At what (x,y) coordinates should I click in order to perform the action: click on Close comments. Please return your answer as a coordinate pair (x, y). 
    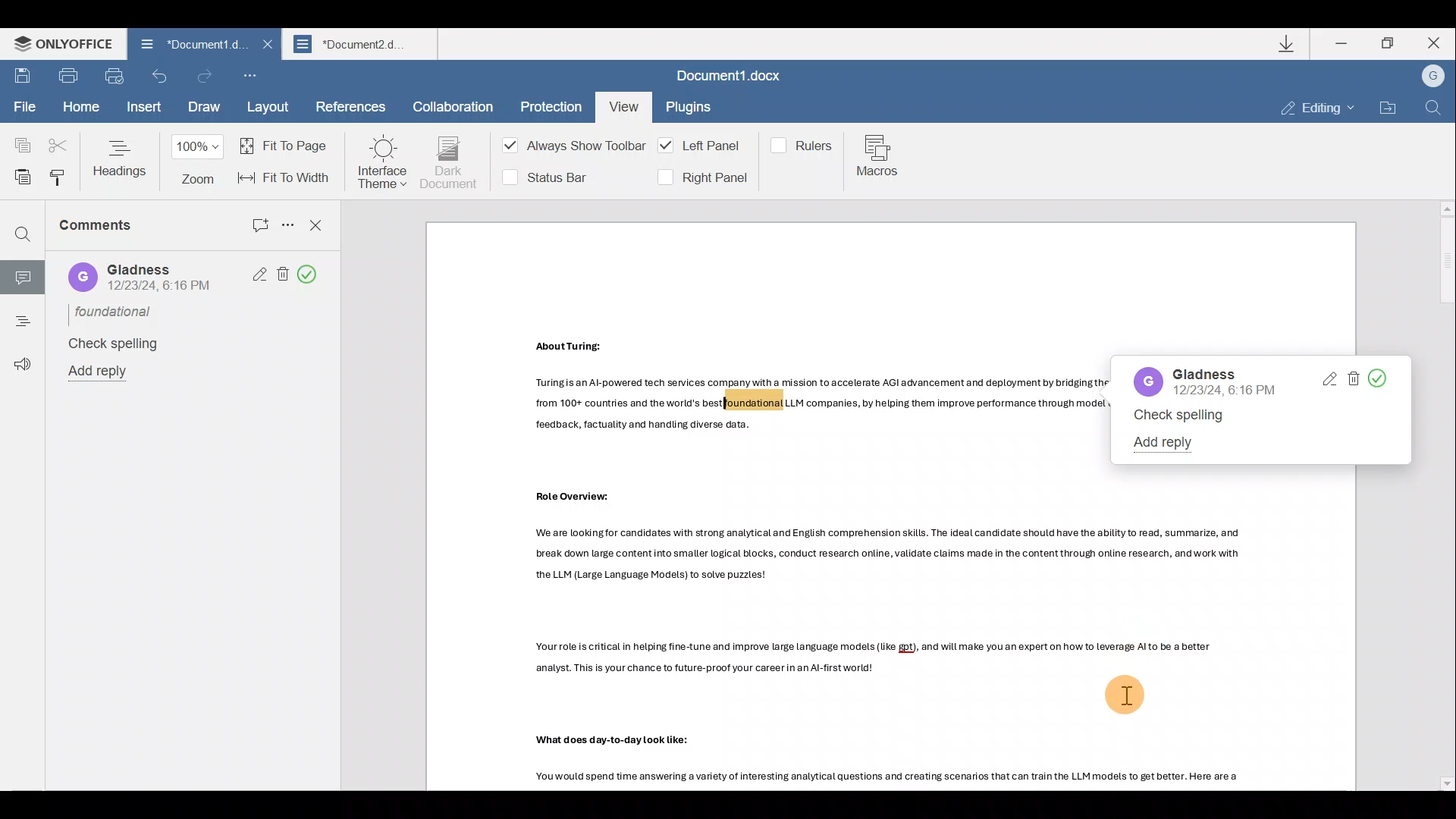
    Looking at the image, I should click on (317, 224).